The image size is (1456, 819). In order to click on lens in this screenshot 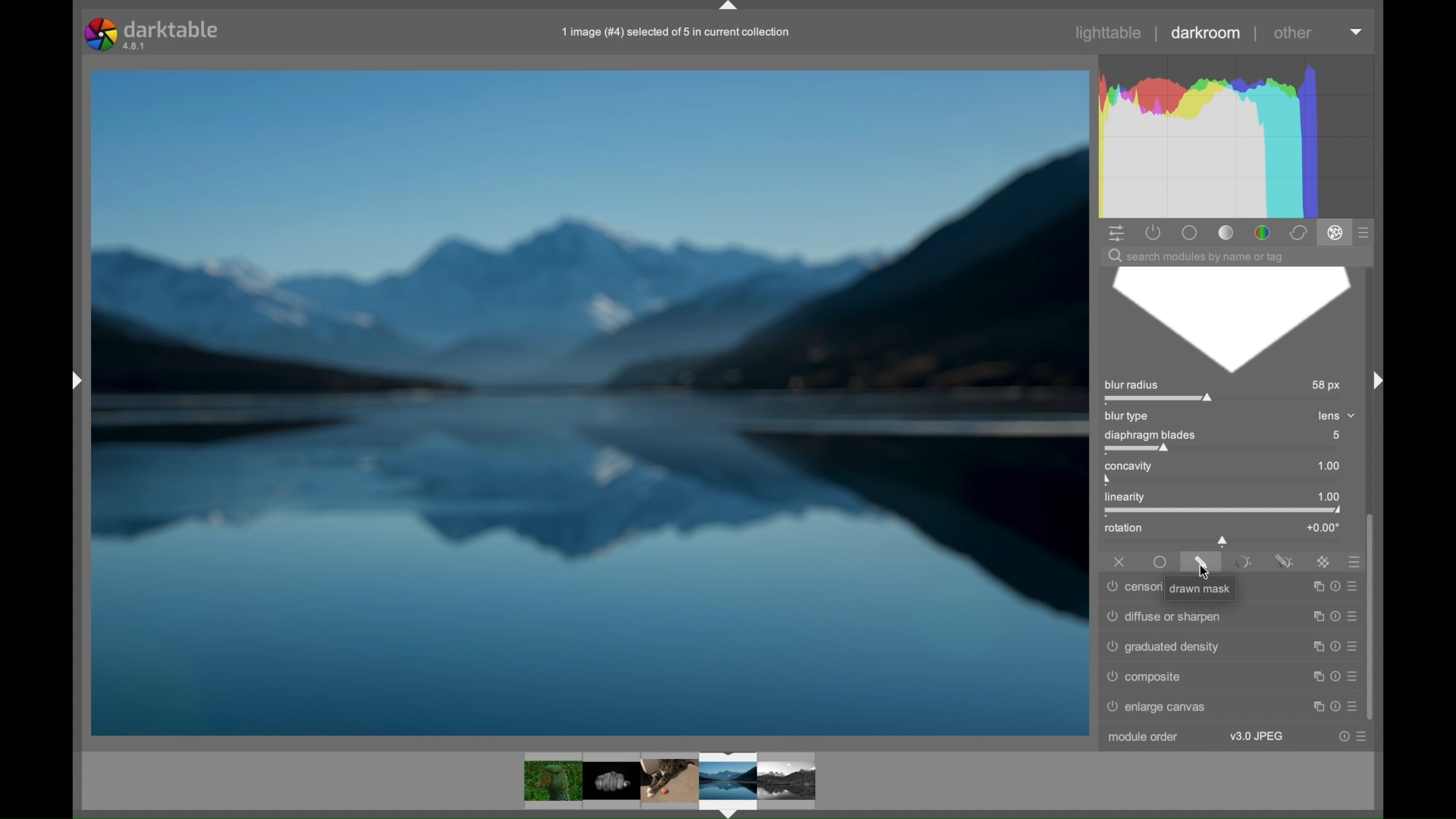, I will do `click(1331, 415)`.